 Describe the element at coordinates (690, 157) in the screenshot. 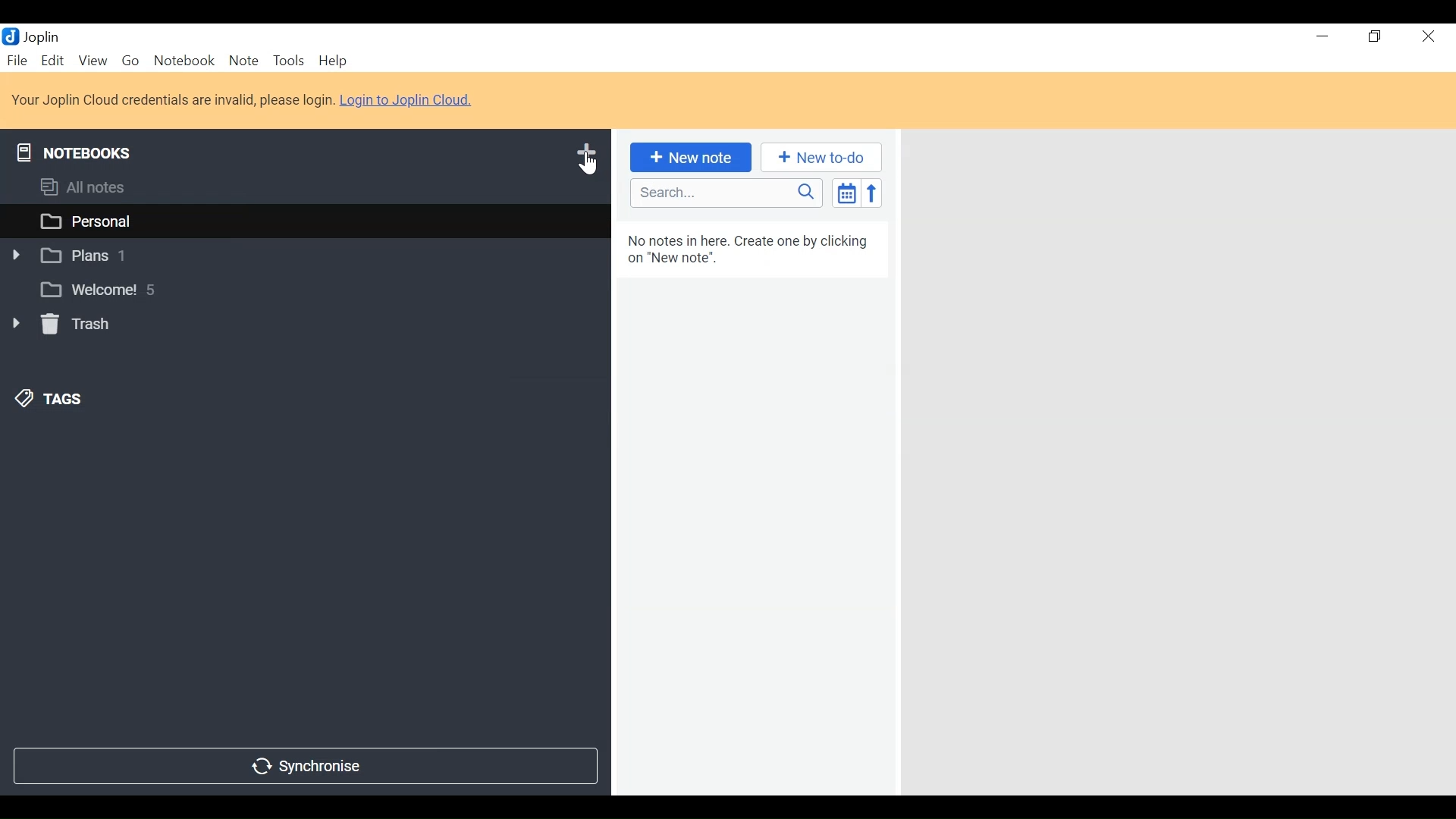

I see `New Note` at that location.